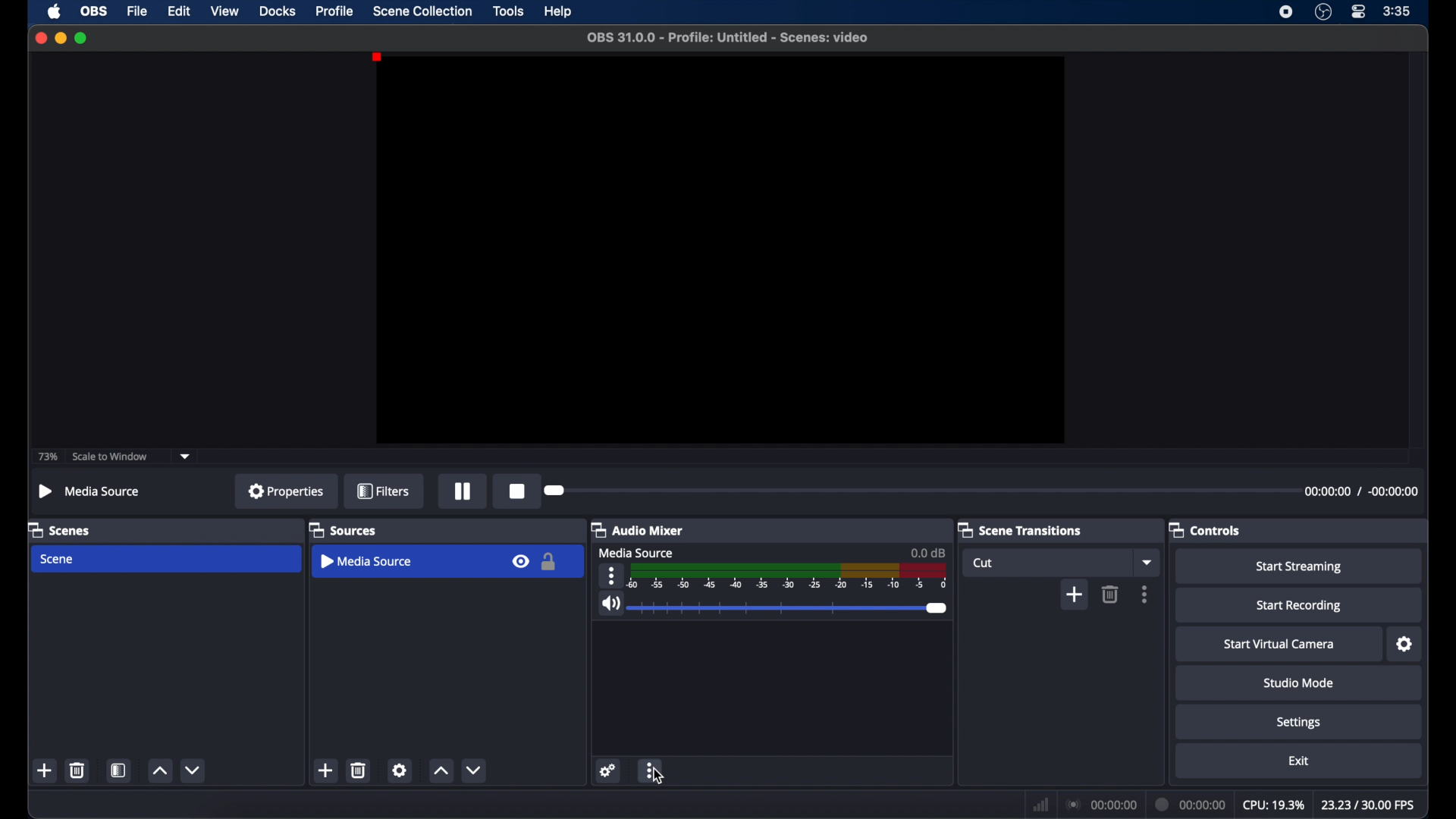 This screenshot has height=819, width=1456. I want to click on scene collection, so click(425, 11).